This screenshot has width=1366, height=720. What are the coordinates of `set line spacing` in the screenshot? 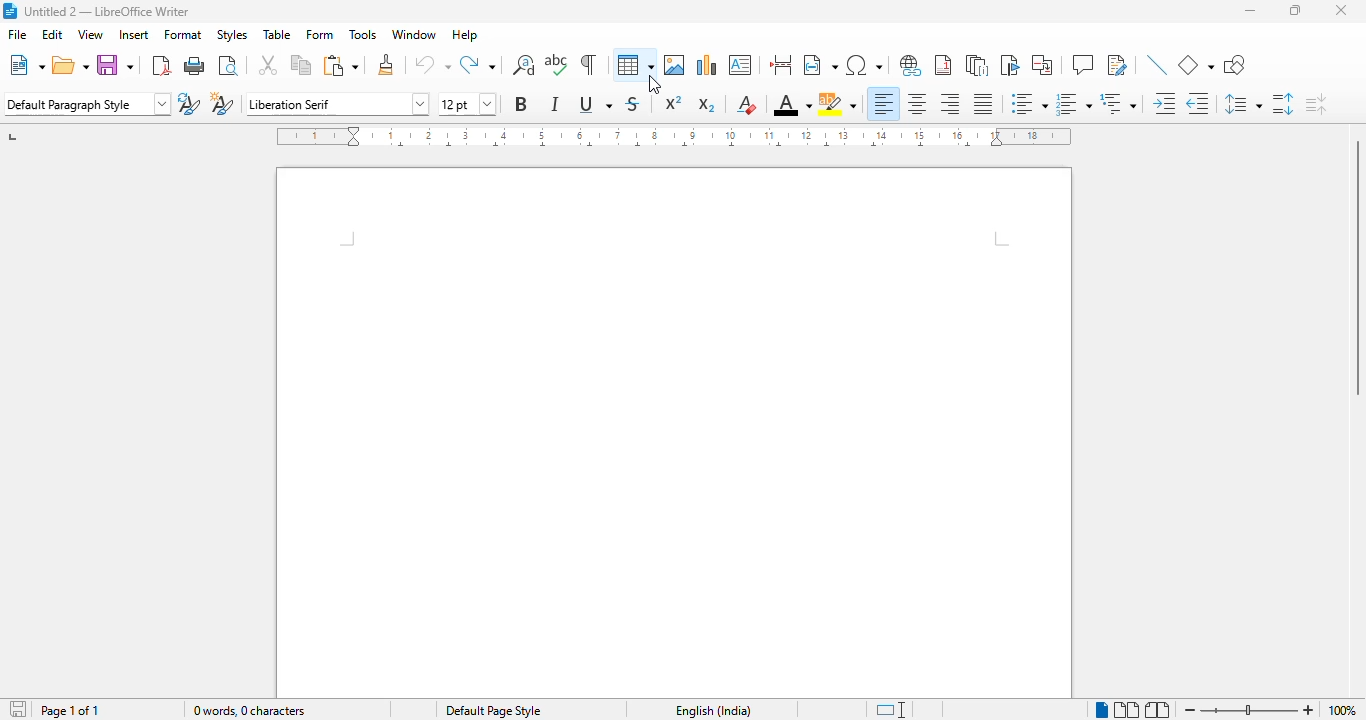 It's located at (1244, 104).